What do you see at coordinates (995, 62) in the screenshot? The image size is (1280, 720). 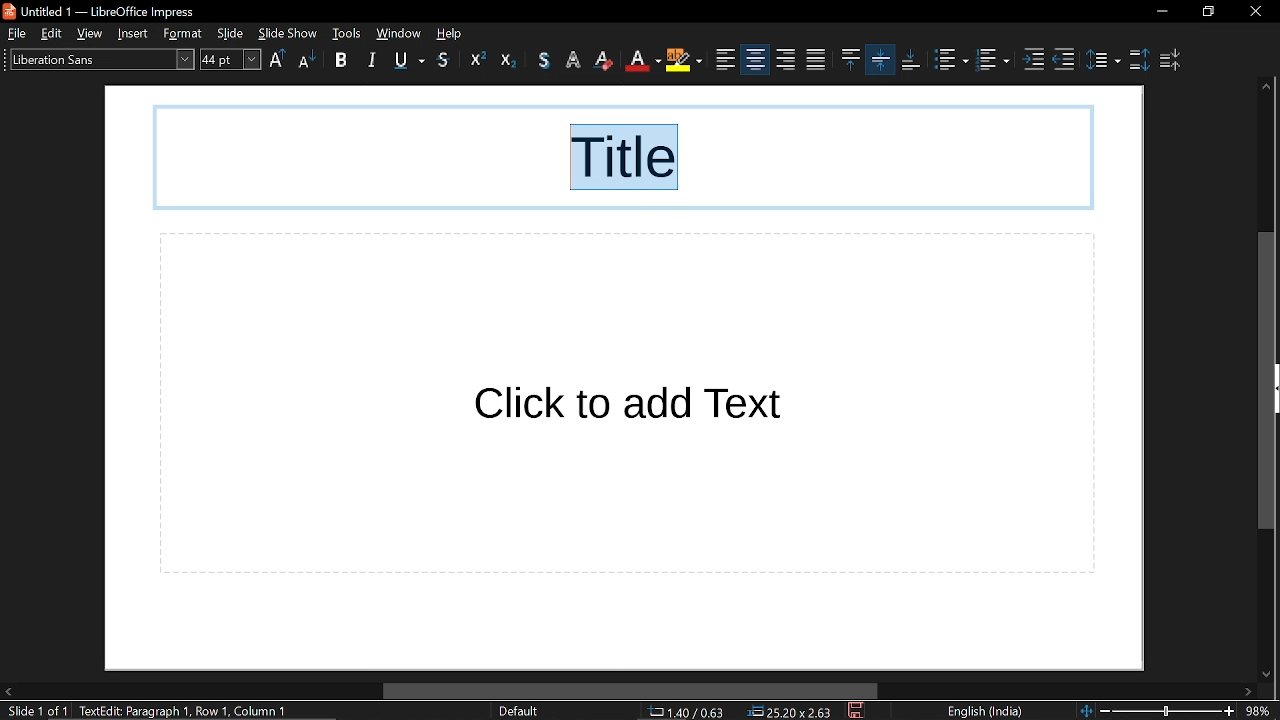 I see `toggle ordered list` at bounding box center [995, 62].